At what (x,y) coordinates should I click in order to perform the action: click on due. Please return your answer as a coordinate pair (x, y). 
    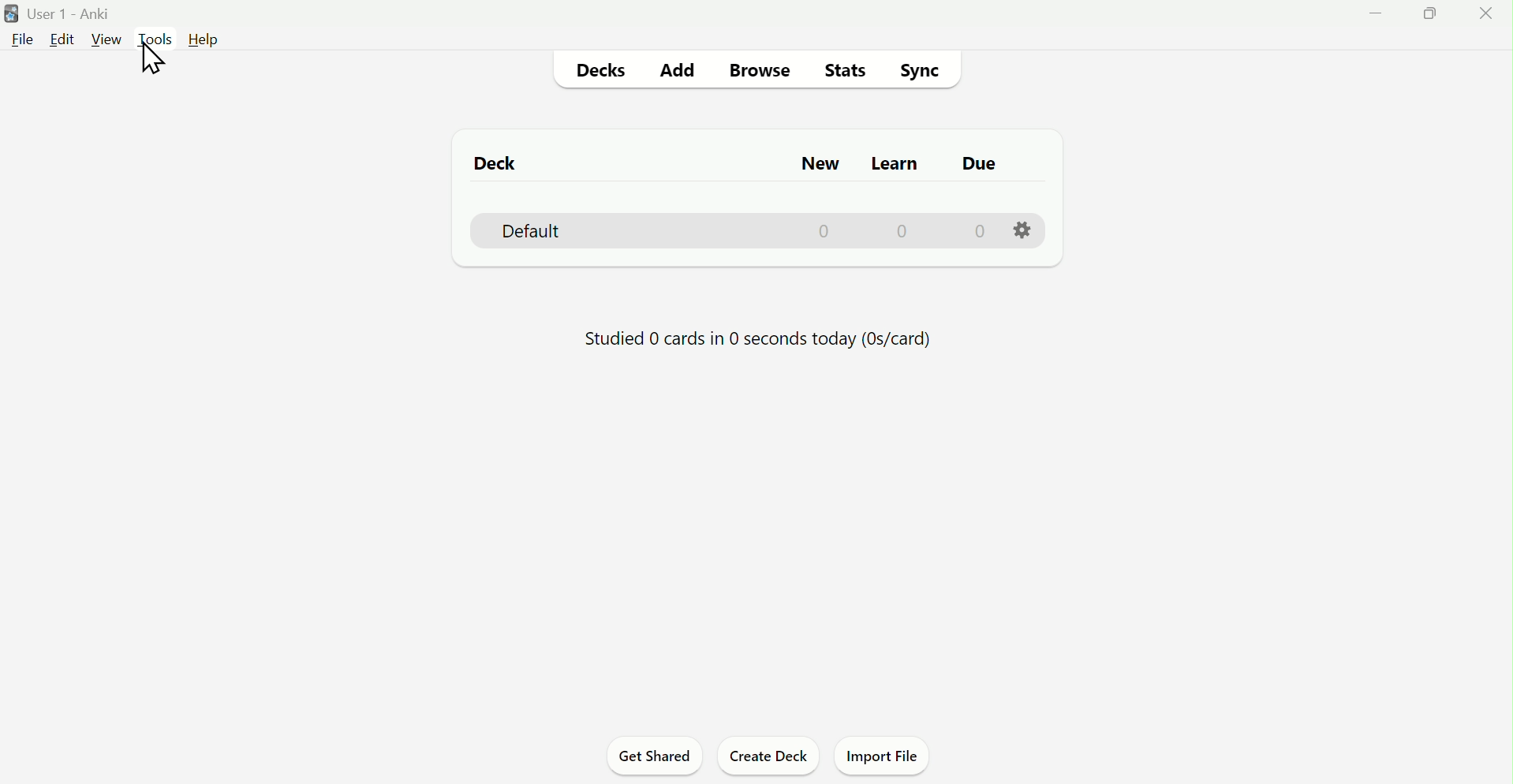
    Looking at the image, I should click on (977, 171).